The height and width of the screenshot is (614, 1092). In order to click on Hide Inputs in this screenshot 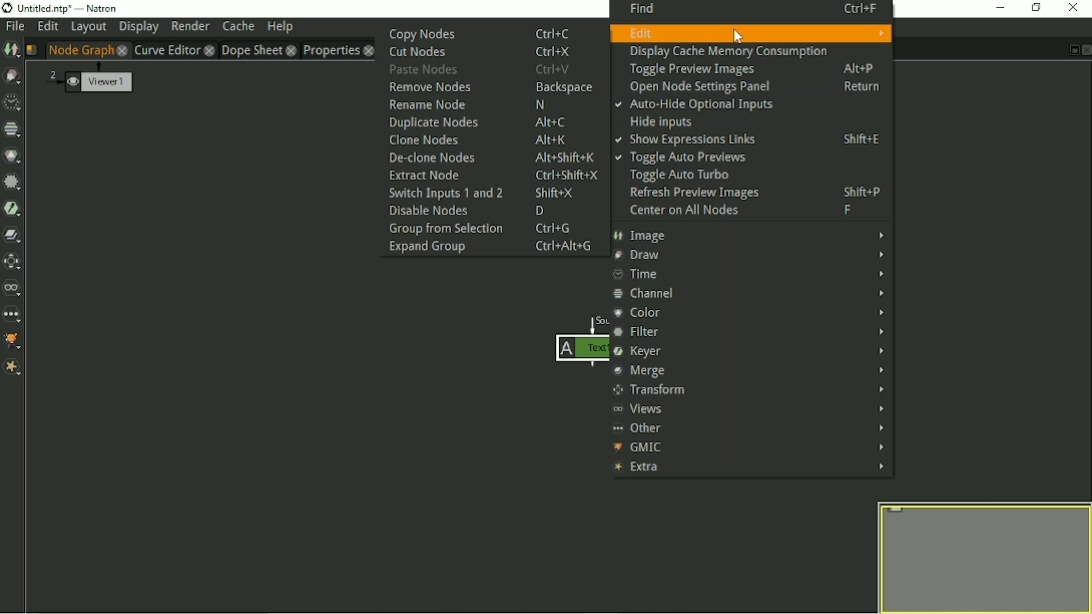, I will do `click(662, 122)`.